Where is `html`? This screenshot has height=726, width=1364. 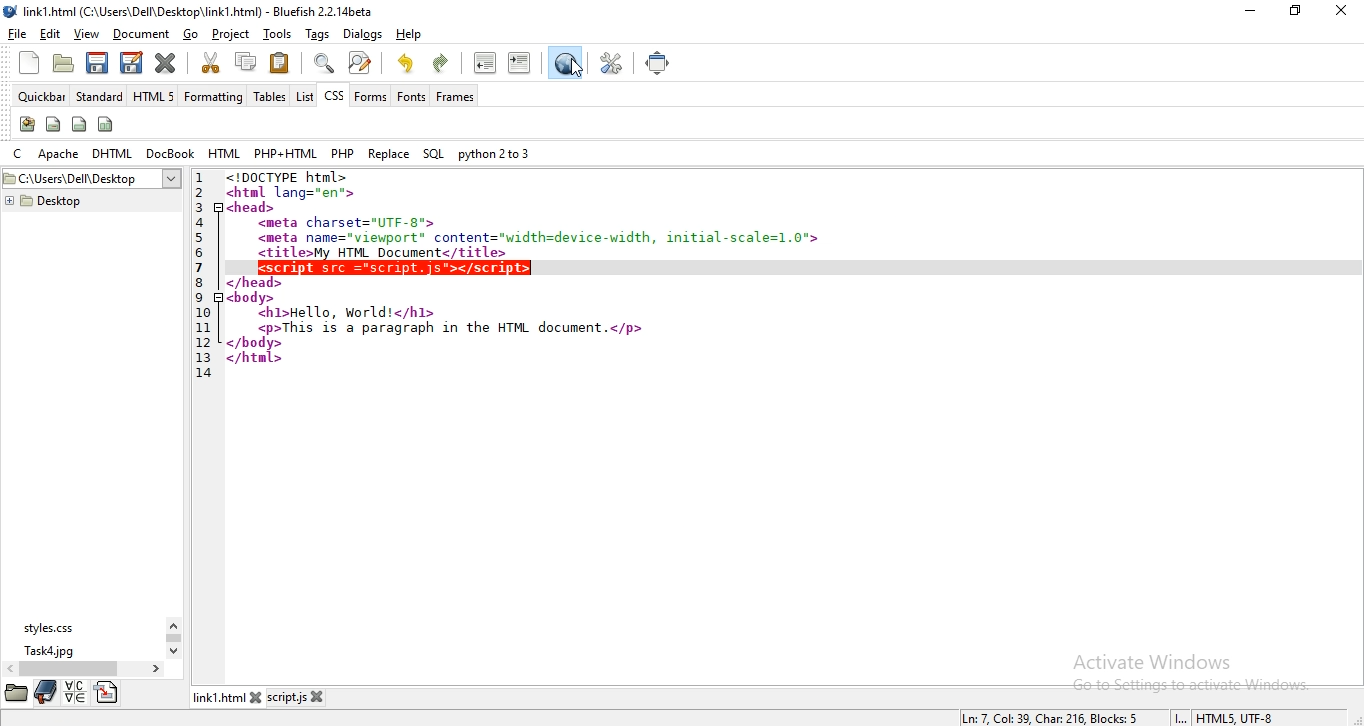 html is located at coordinates (223, 152).